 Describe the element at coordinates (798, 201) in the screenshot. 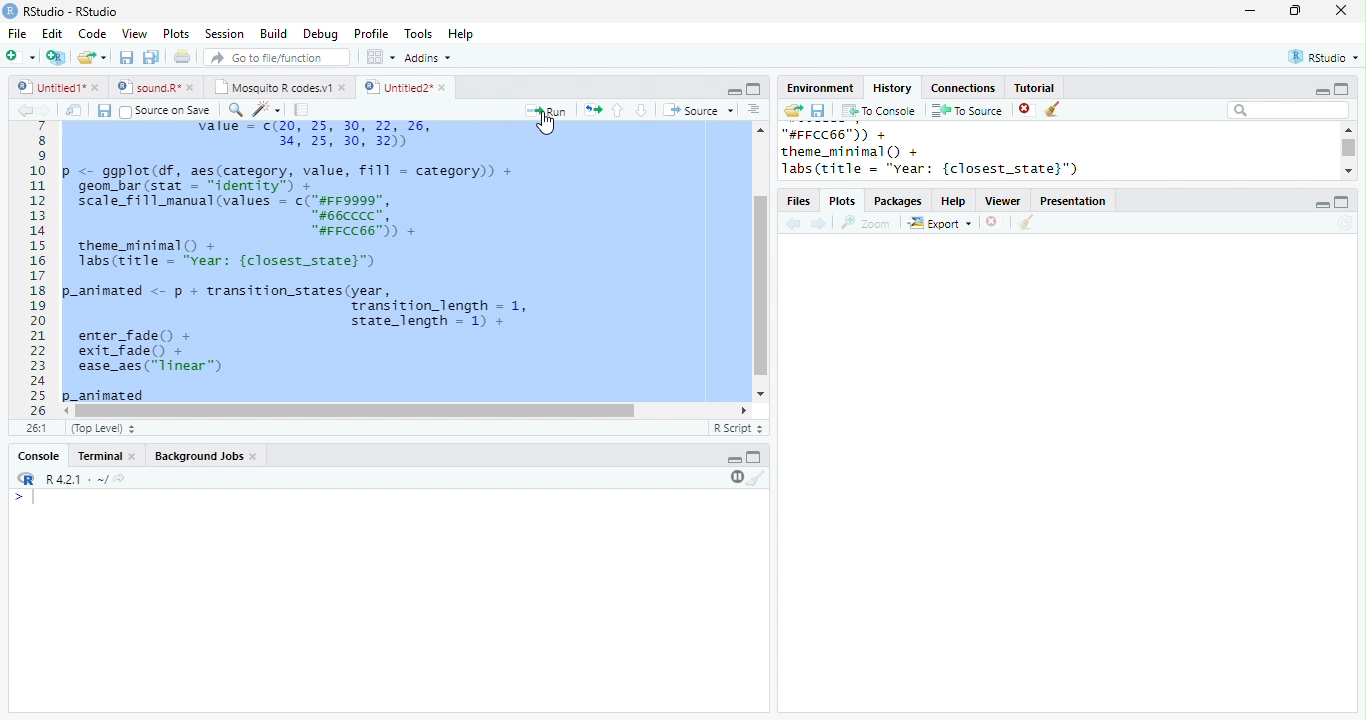

I see `Files` at that location.